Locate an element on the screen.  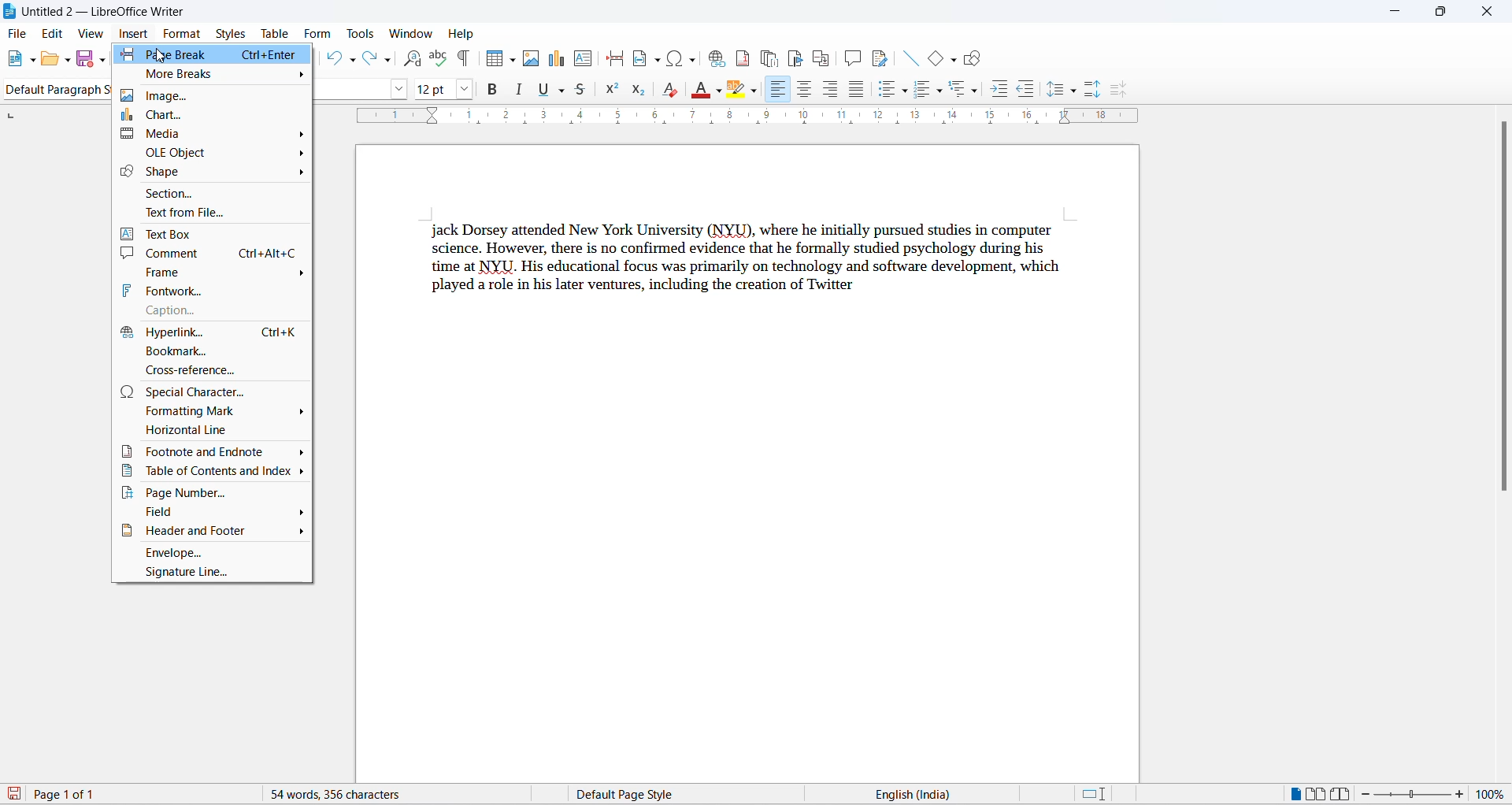
more breaks is located at coordinates (217, 73).